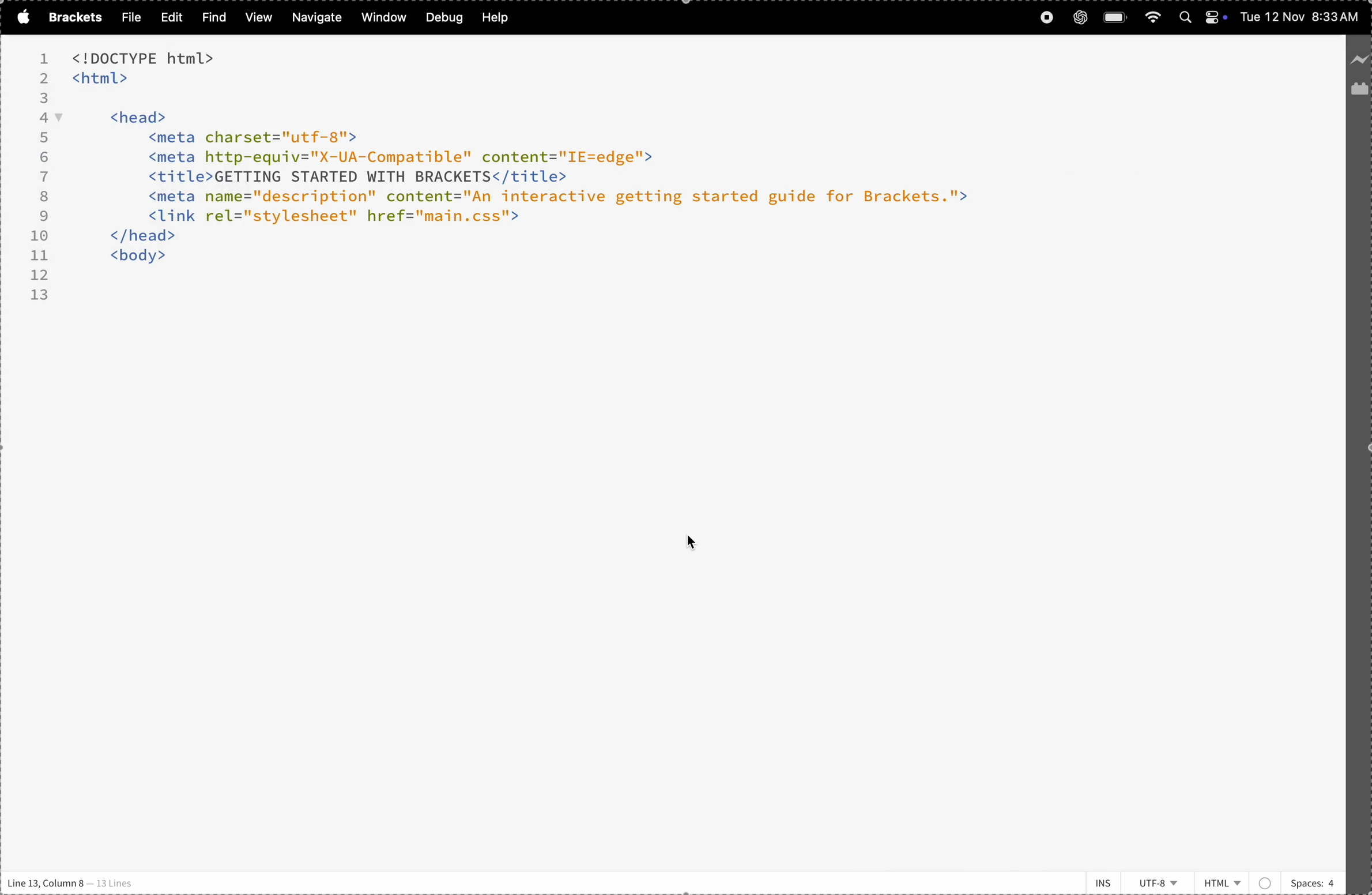 The width and height of the screenshot is (1372, 895). I want to click on ins, so click(1097, 878).